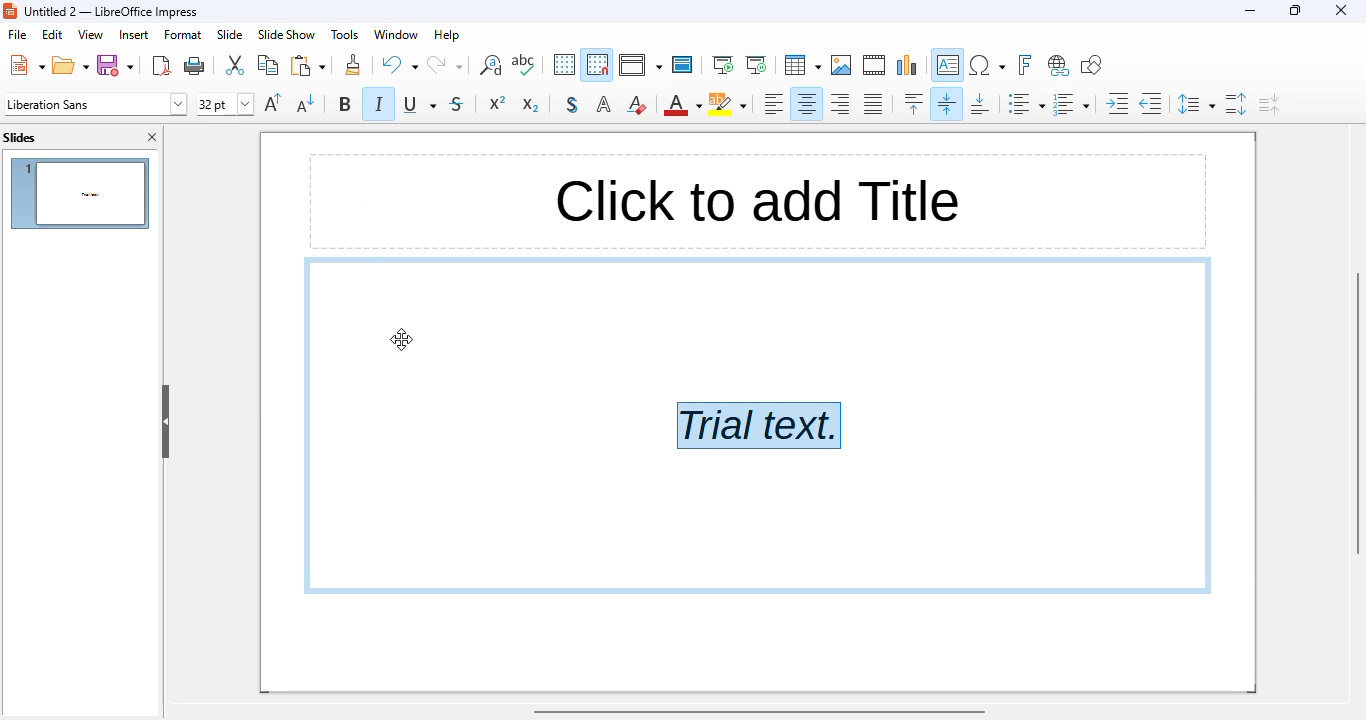 This screenshot has height=720, width=1366. Describe the element at coordinates (1196, 104) in the screenshot. I see `set line spacing` at that location.